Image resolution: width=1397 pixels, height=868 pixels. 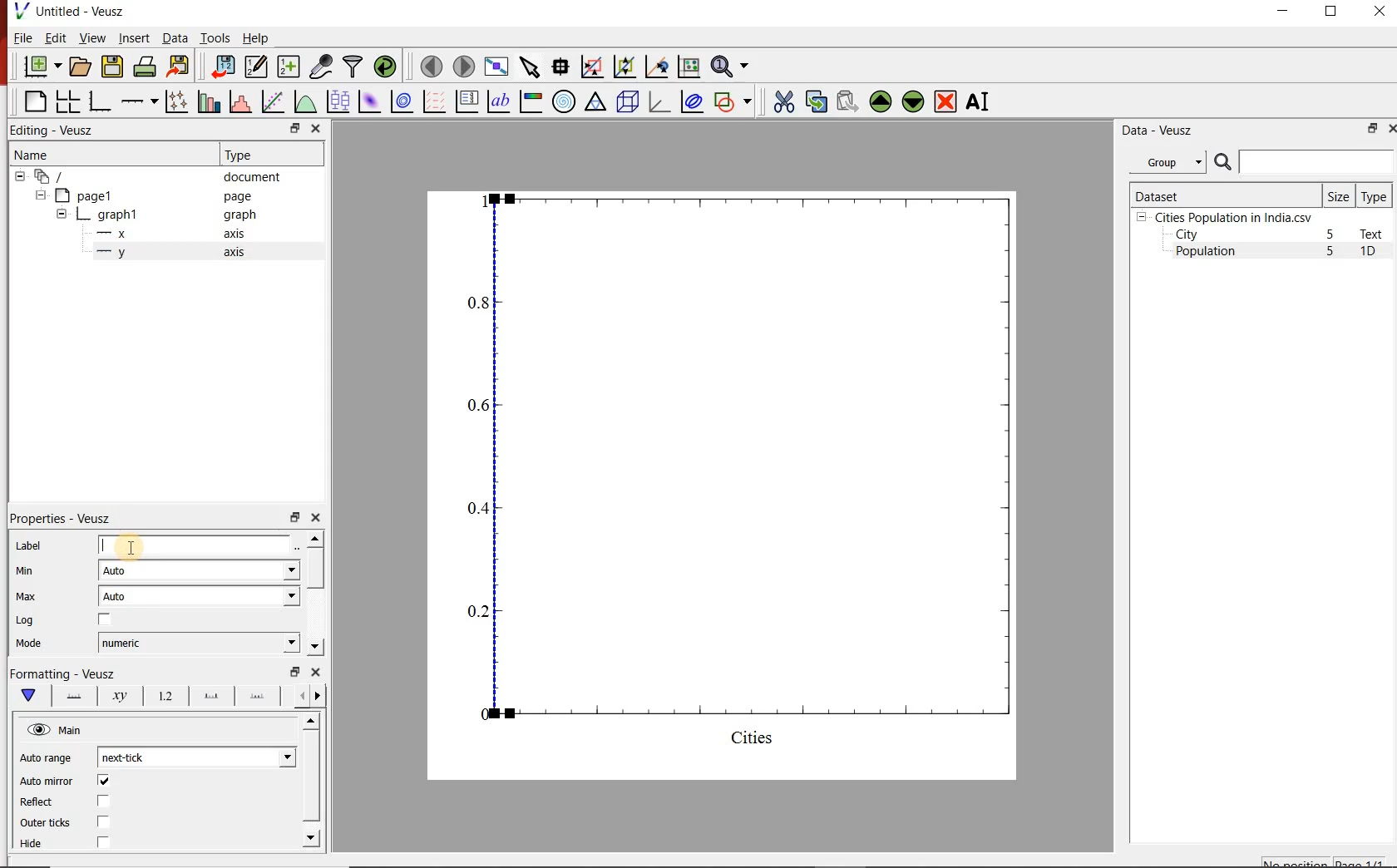 What do you see at coordinates (105, 619) in the screenshot?
I see `check/uncheck` at bounding box center [105, 619].